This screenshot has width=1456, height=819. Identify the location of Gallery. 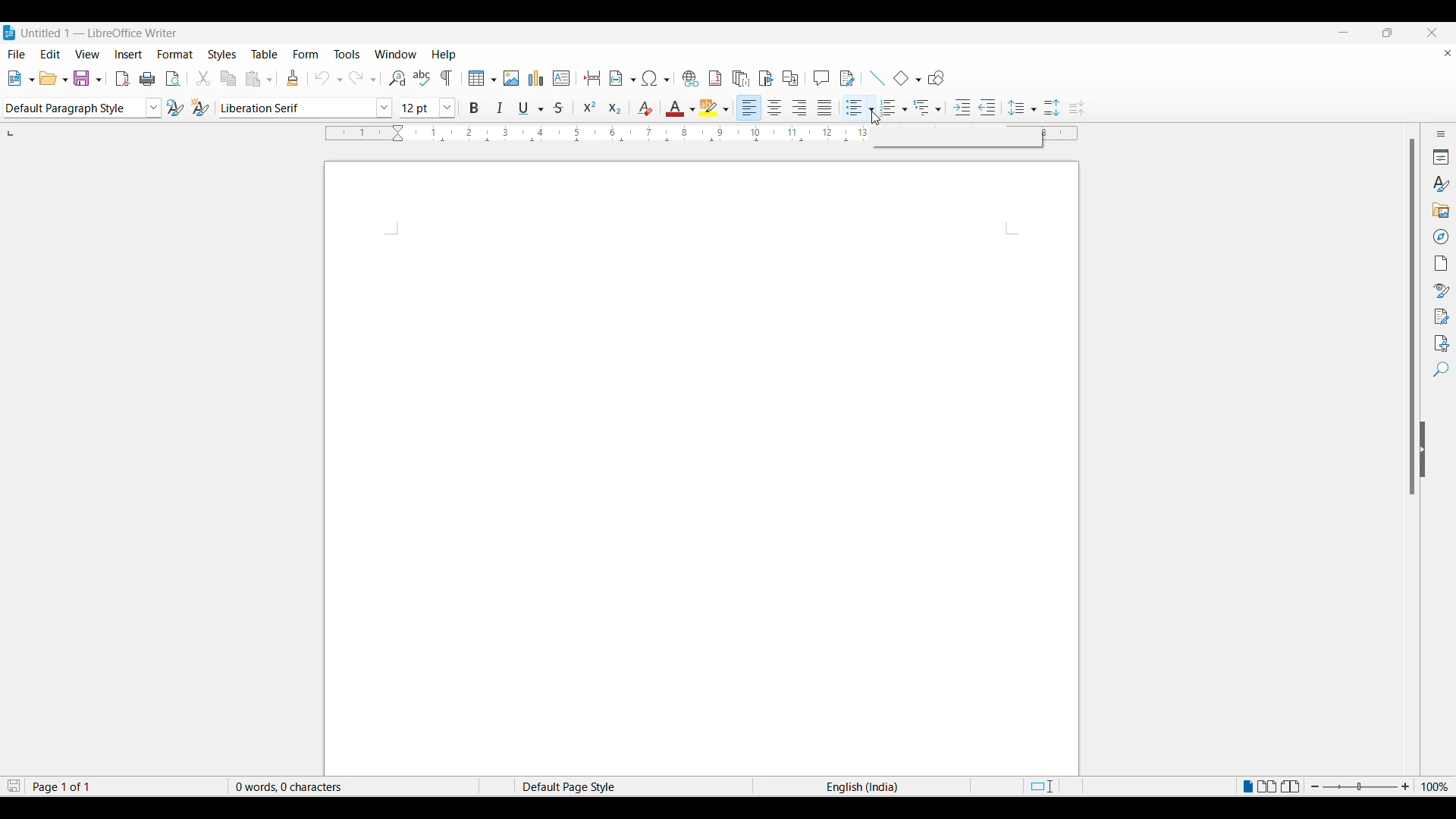
(1442, 210).